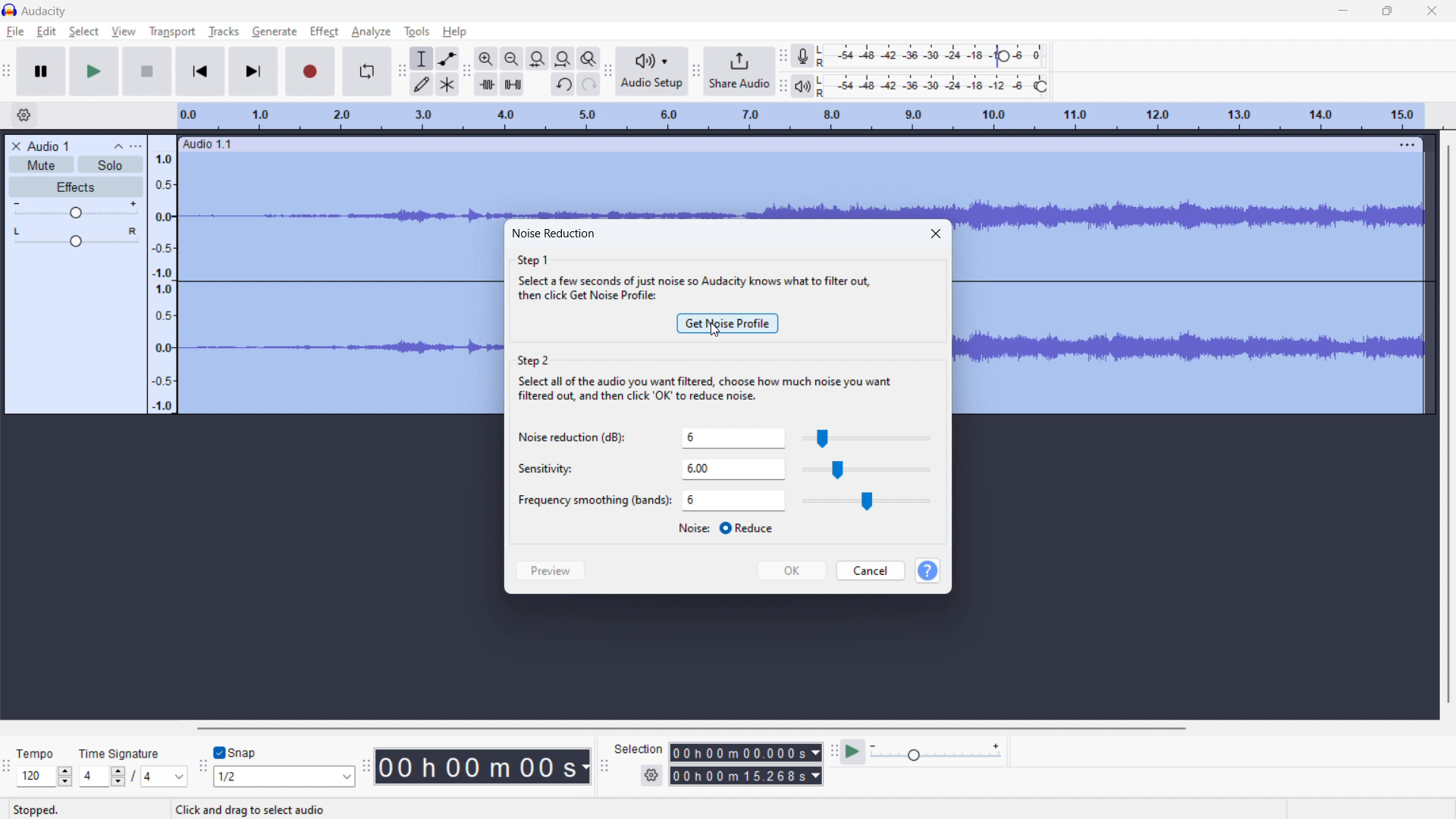  Describe the element at coordinates (123, 30) in the screenshot. I see `view` at that location.